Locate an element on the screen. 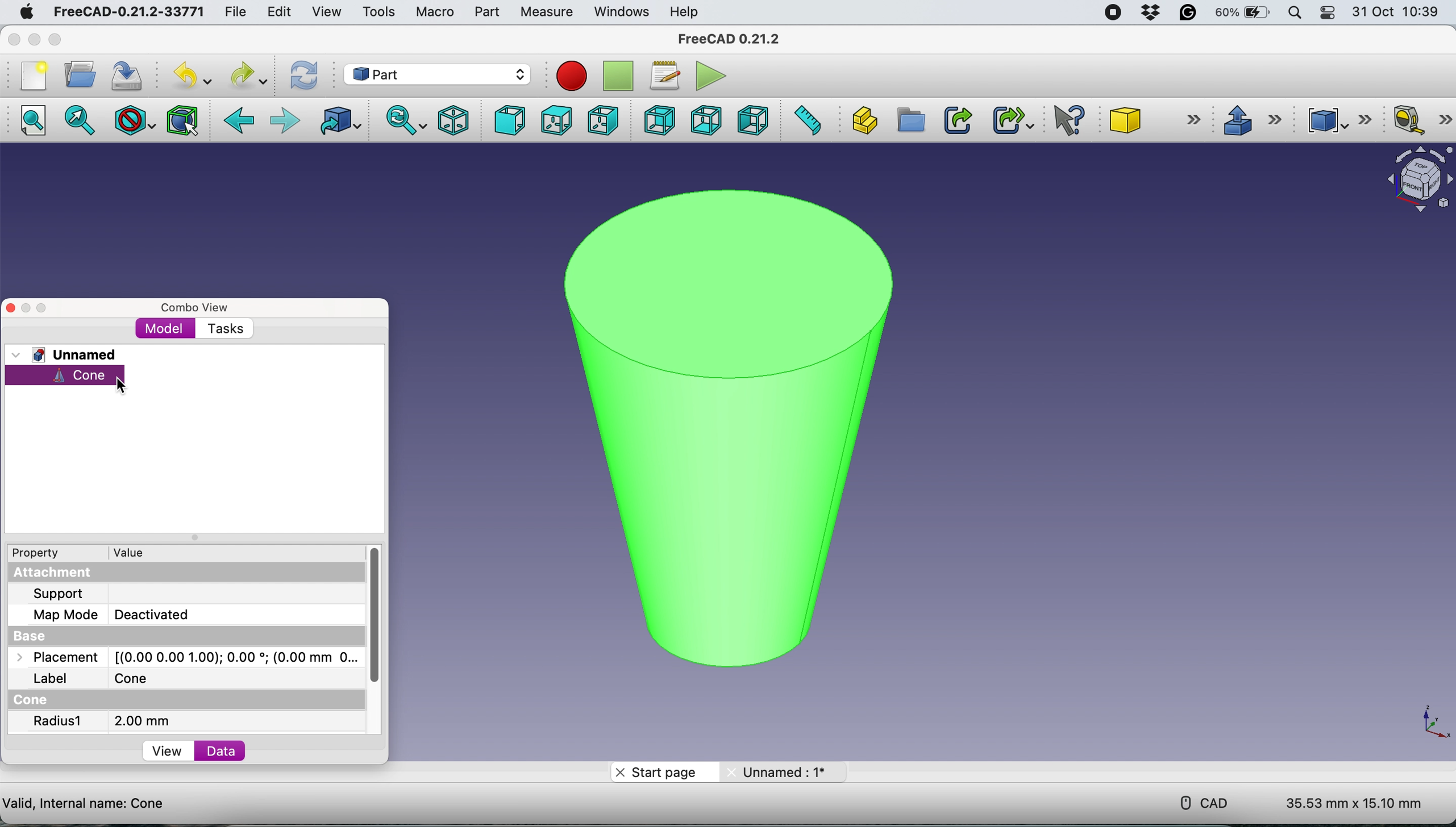  object navigator is located at coordinates (1413, 179).